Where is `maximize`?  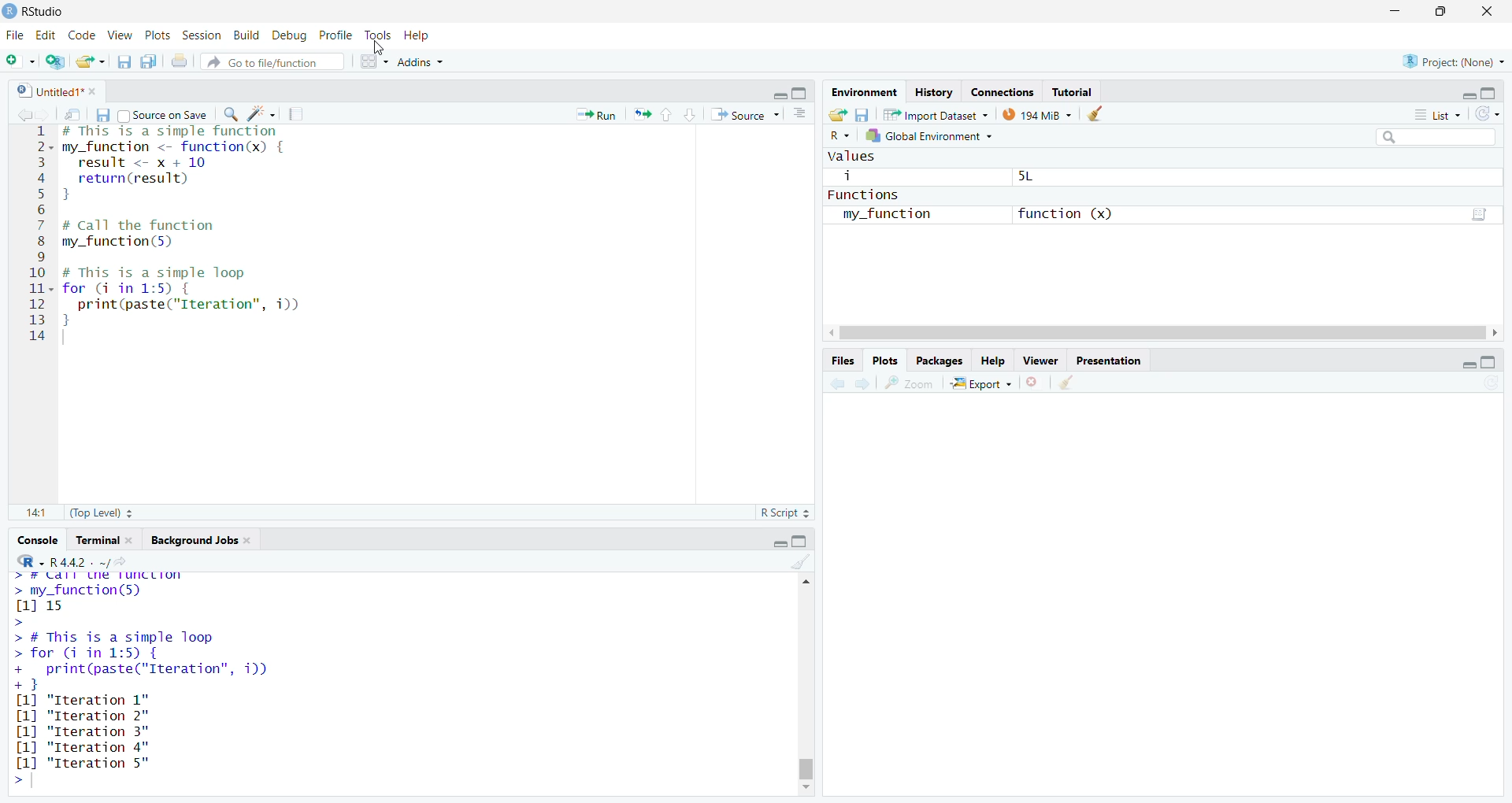
maximize is located at coordinates (1441, 10).